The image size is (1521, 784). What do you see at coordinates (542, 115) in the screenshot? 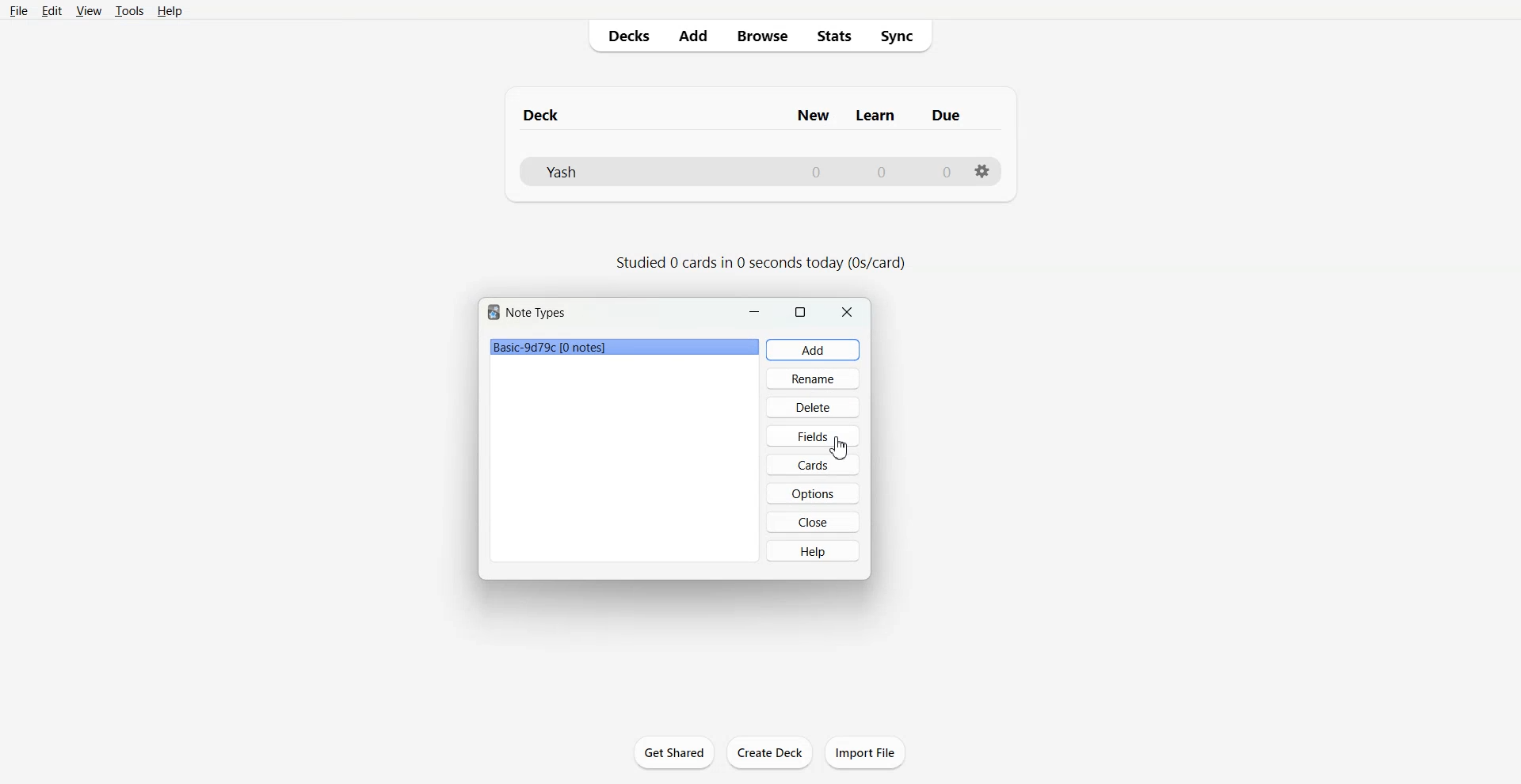
I see `Text 1` at bounding box center [542, 115].